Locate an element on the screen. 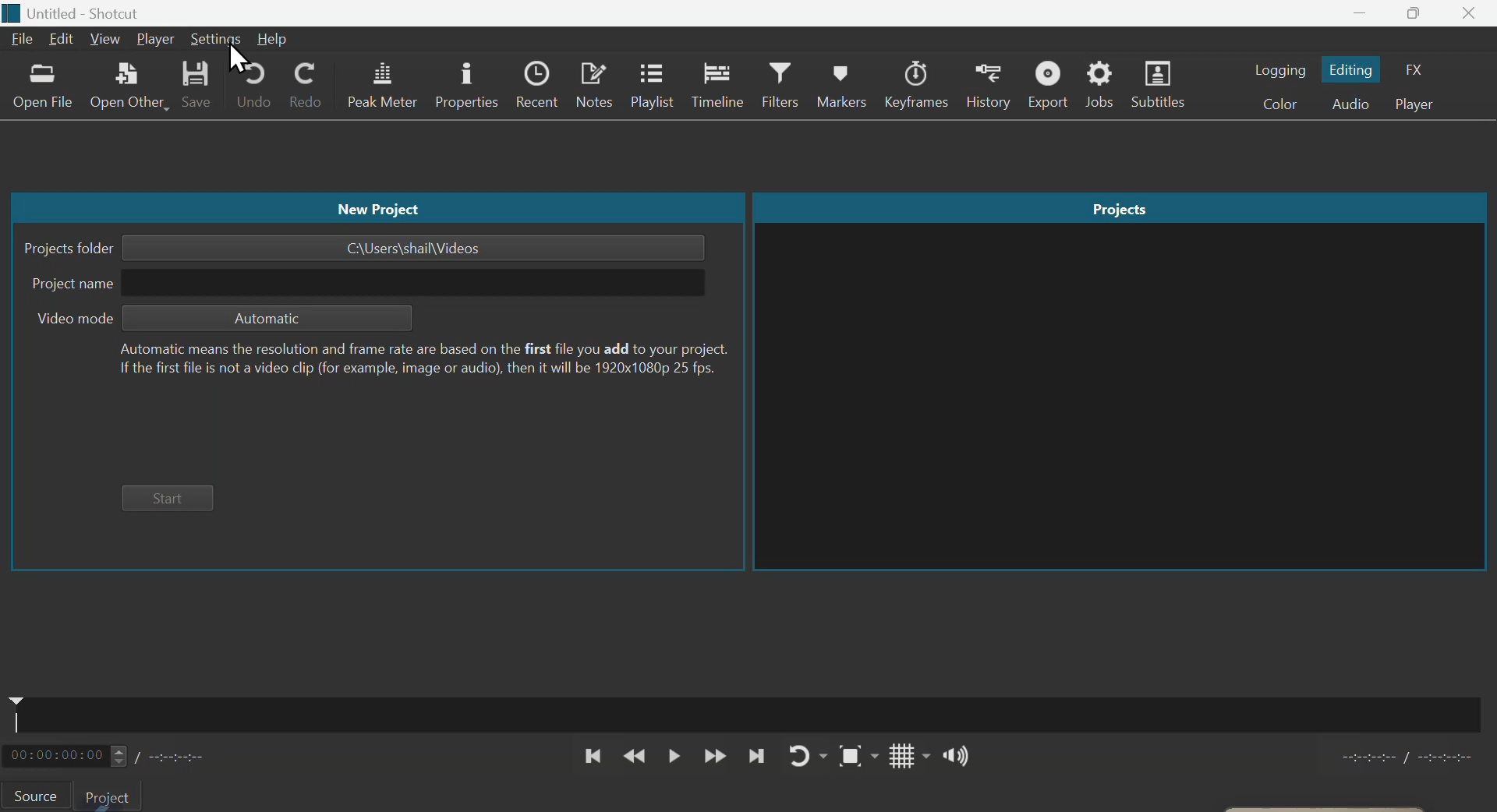 The height and width of the screenshot is (812, 1497). open file is located at coordinates (41, 90).